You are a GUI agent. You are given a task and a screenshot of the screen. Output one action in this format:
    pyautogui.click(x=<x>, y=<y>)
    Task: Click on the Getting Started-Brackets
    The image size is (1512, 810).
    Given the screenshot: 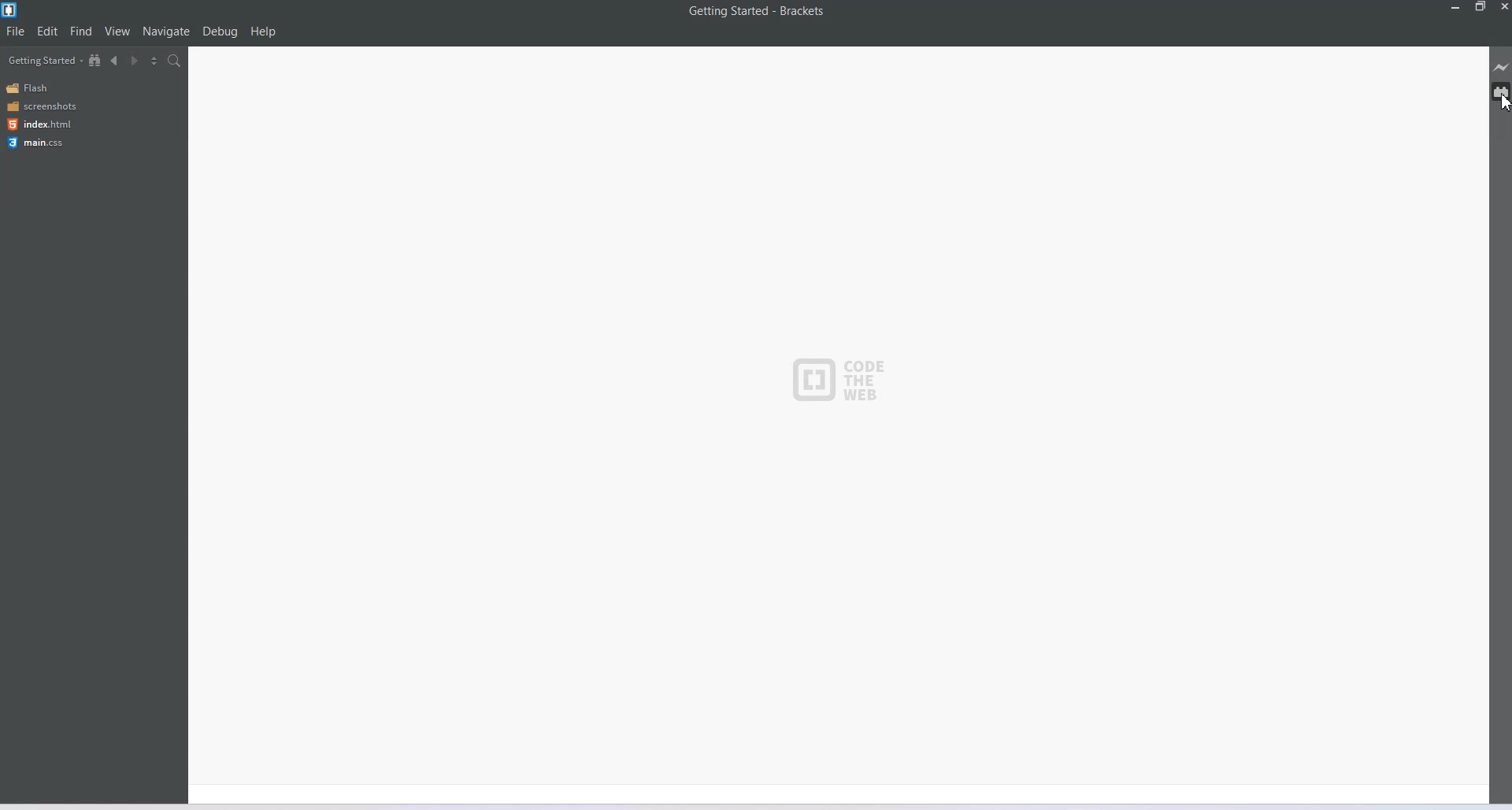 What is the action you would take?
    pyautogui.click(x=757, y=12)
    